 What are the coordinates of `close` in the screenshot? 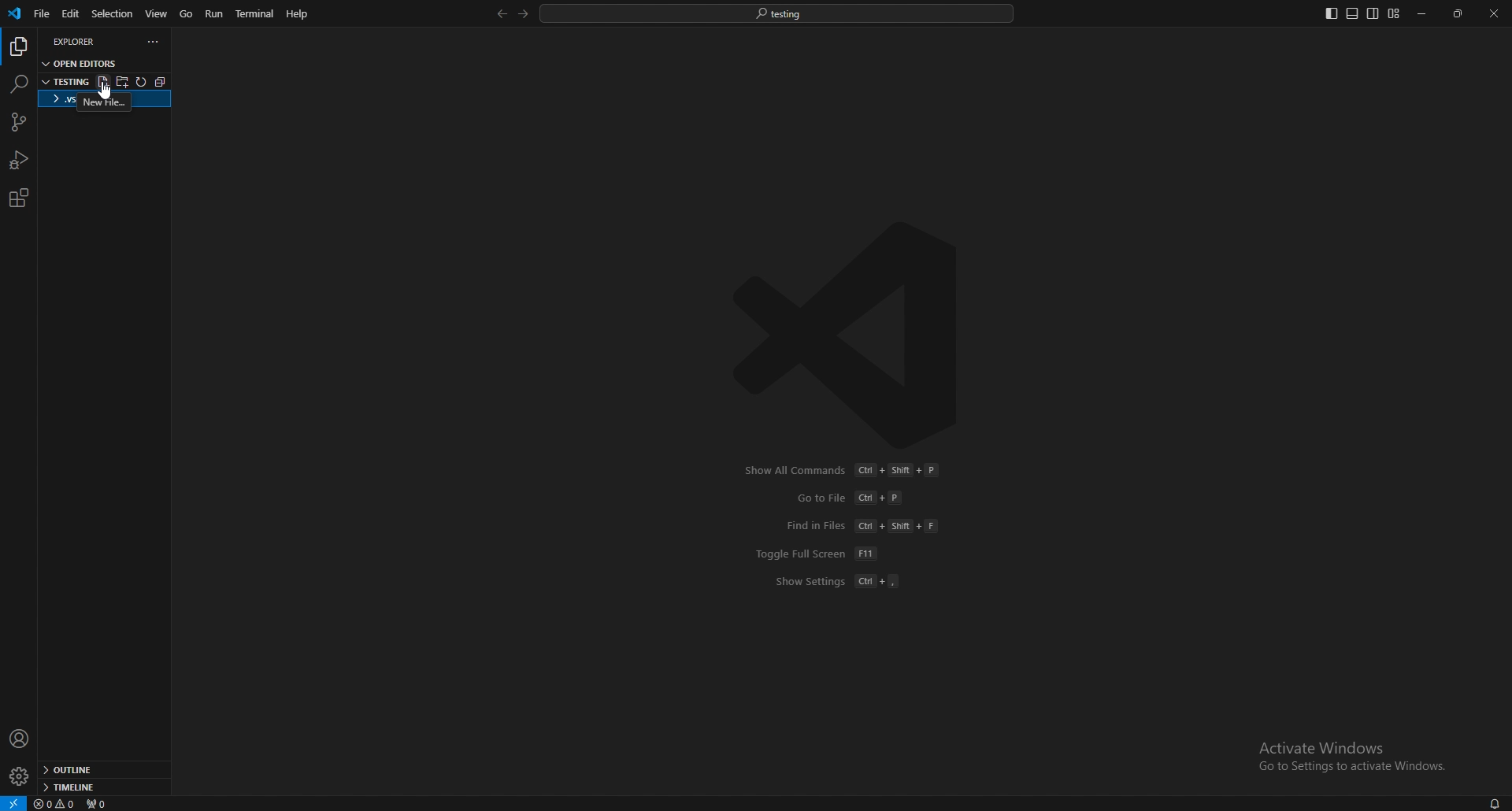 It's located at (1494, 13).